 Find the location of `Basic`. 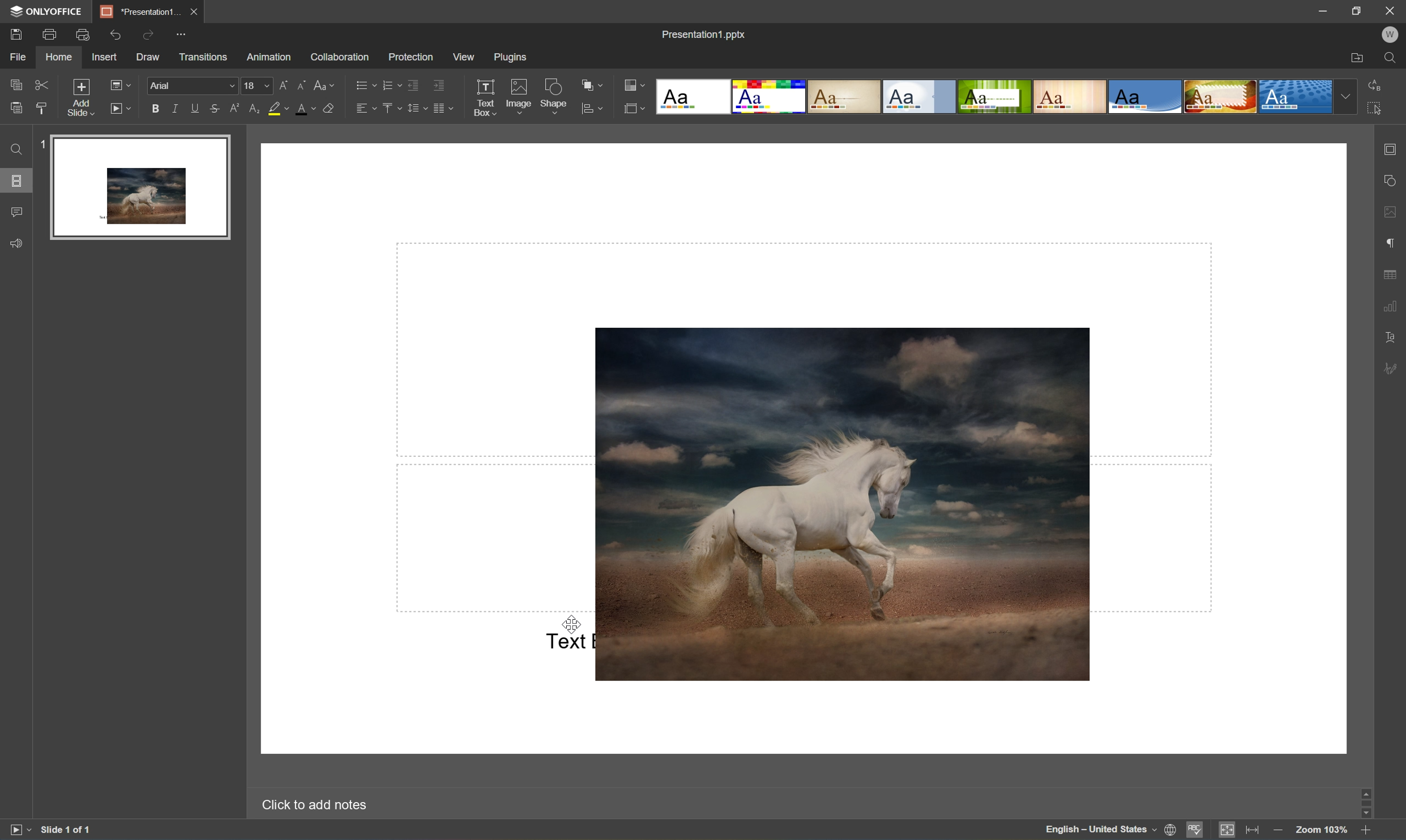

Basic is located at coordinates (772, 96).